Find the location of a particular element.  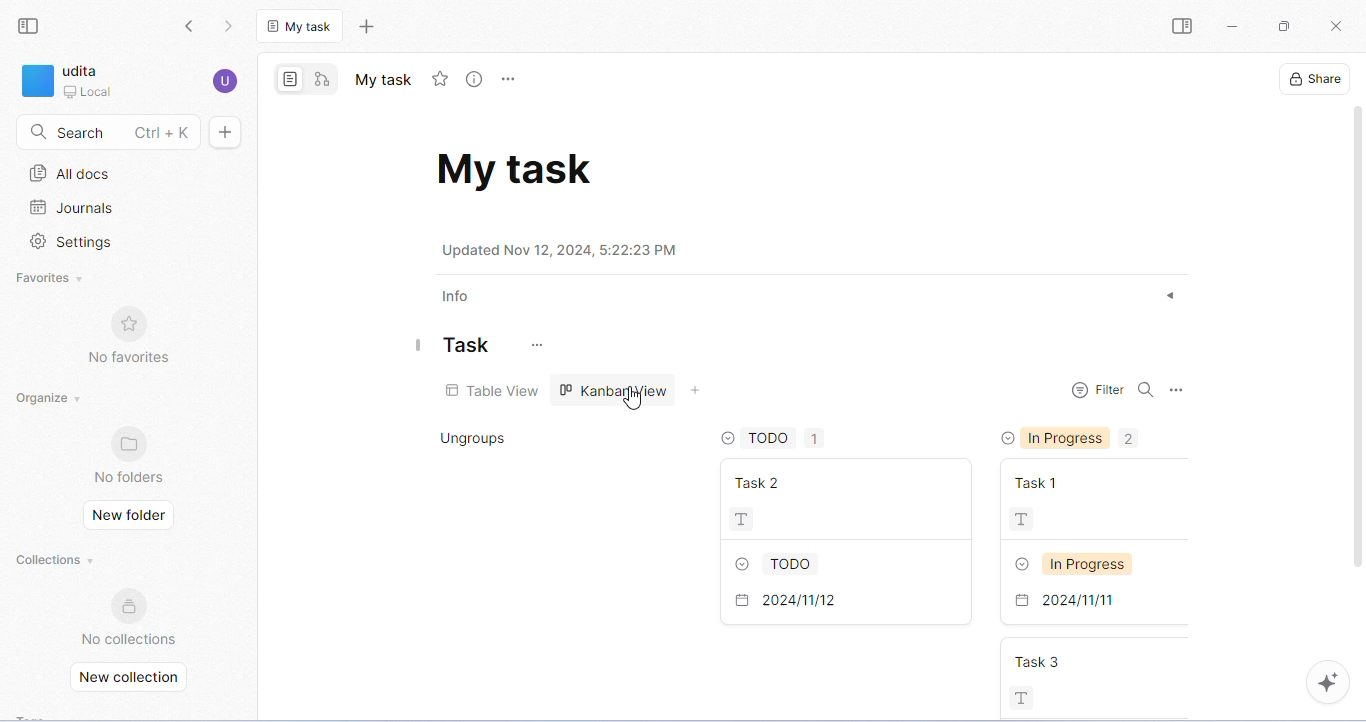

2024/11/12 is located at coordinates (837, 603).